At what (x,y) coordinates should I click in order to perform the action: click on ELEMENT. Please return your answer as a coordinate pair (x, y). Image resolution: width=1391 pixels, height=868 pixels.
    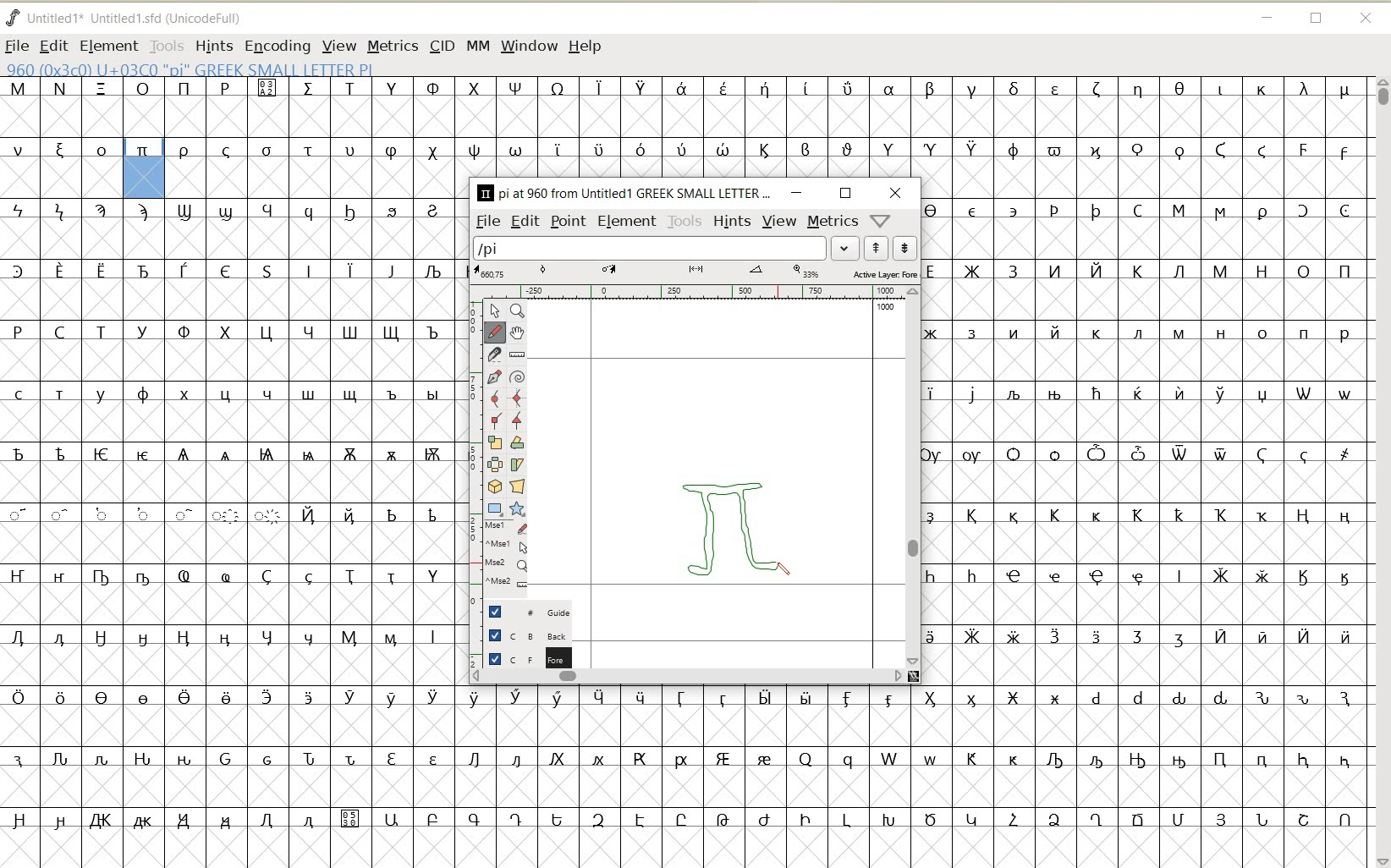
    Looking at the image, I should click on (108, 46).